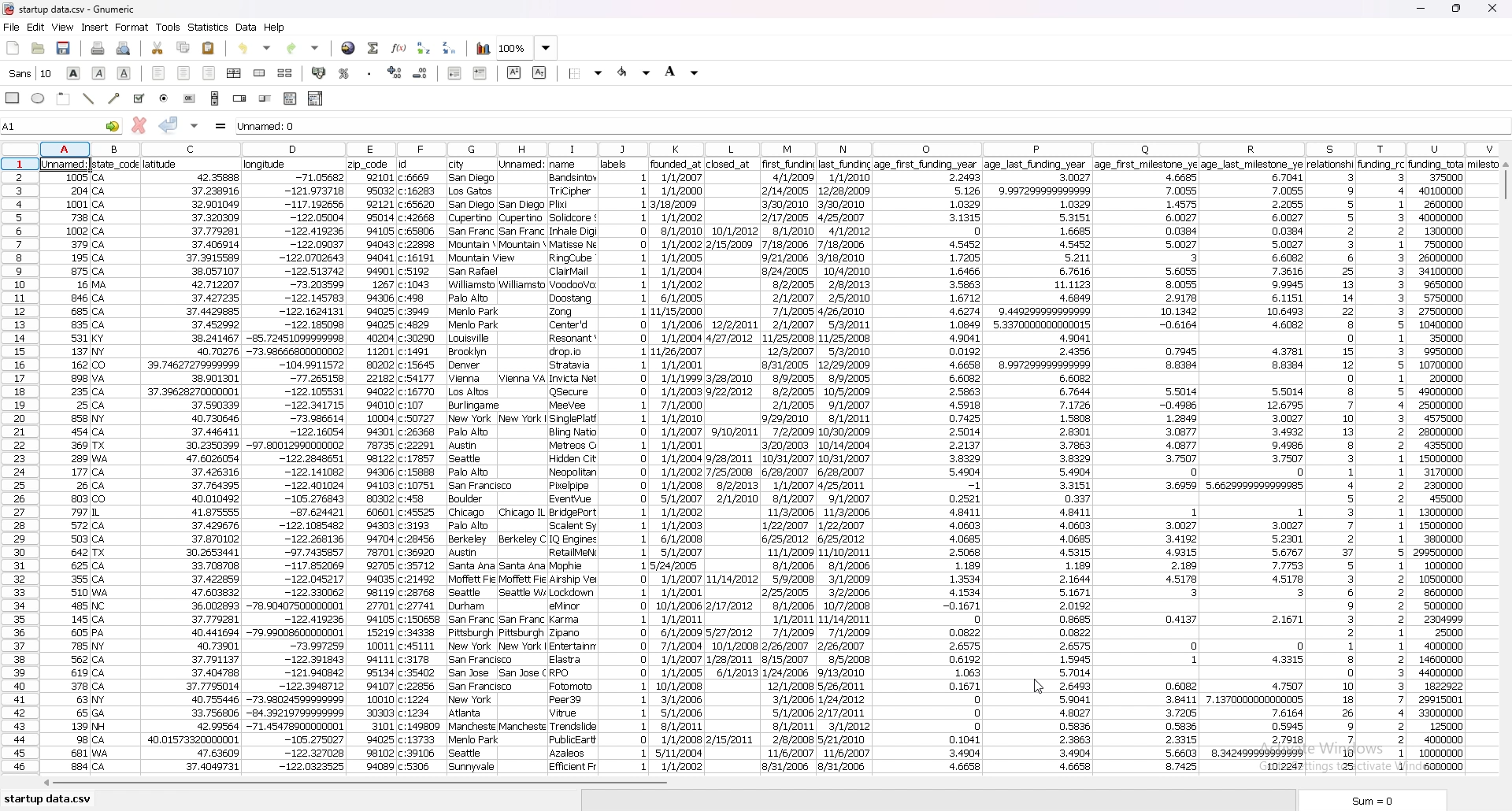 The width and height of the screenshot is (1512, 811). What do you see at coordinates (296, 466) in the screenshot?
I see `data` at bounding box center [296, 466].